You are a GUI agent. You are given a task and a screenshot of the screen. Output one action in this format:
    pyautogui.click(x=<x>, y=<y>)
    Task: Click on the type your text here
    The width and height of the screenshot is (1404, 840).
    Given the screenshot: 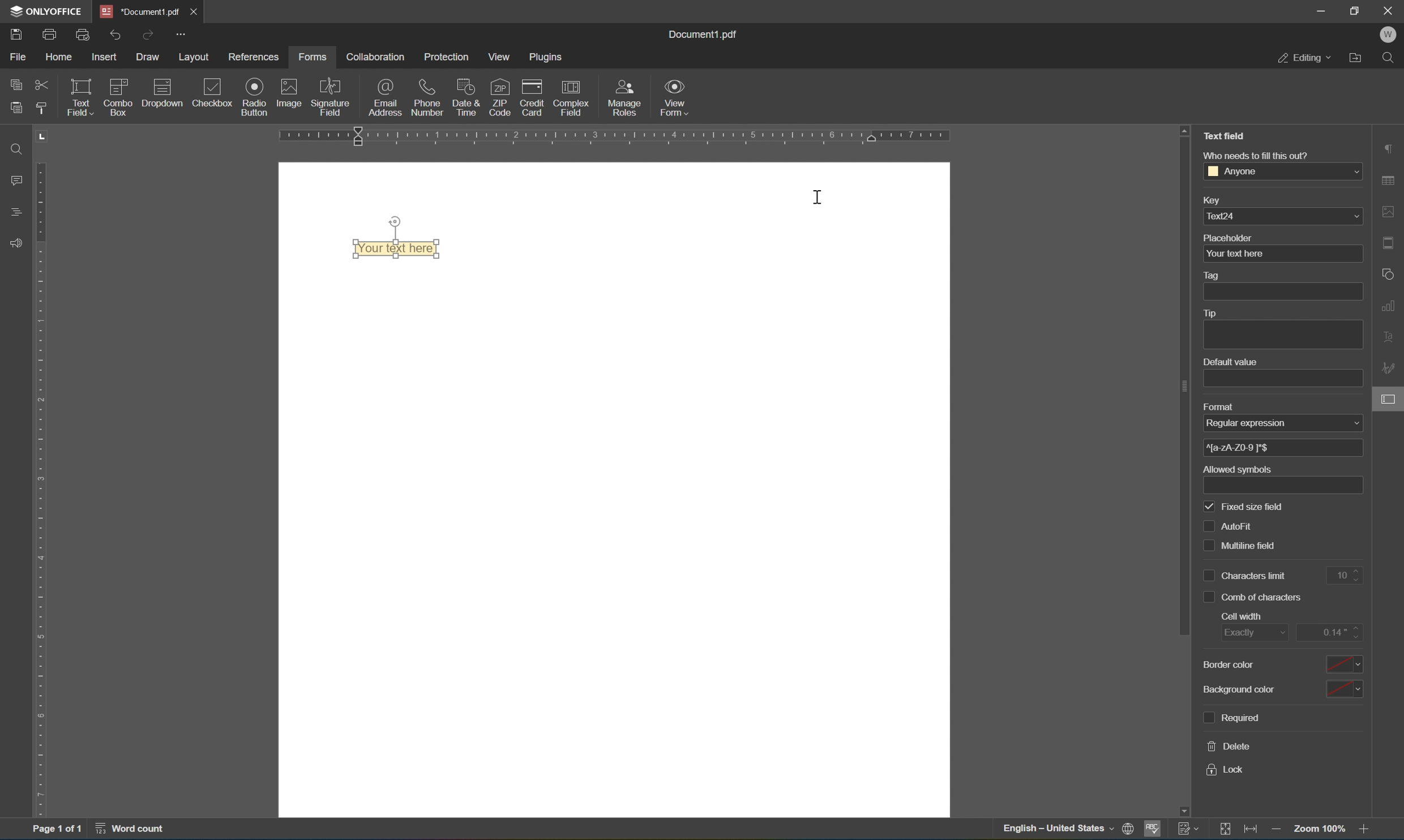 What is the action you would take?
    pyautogui.click(x=396, y=248)
    